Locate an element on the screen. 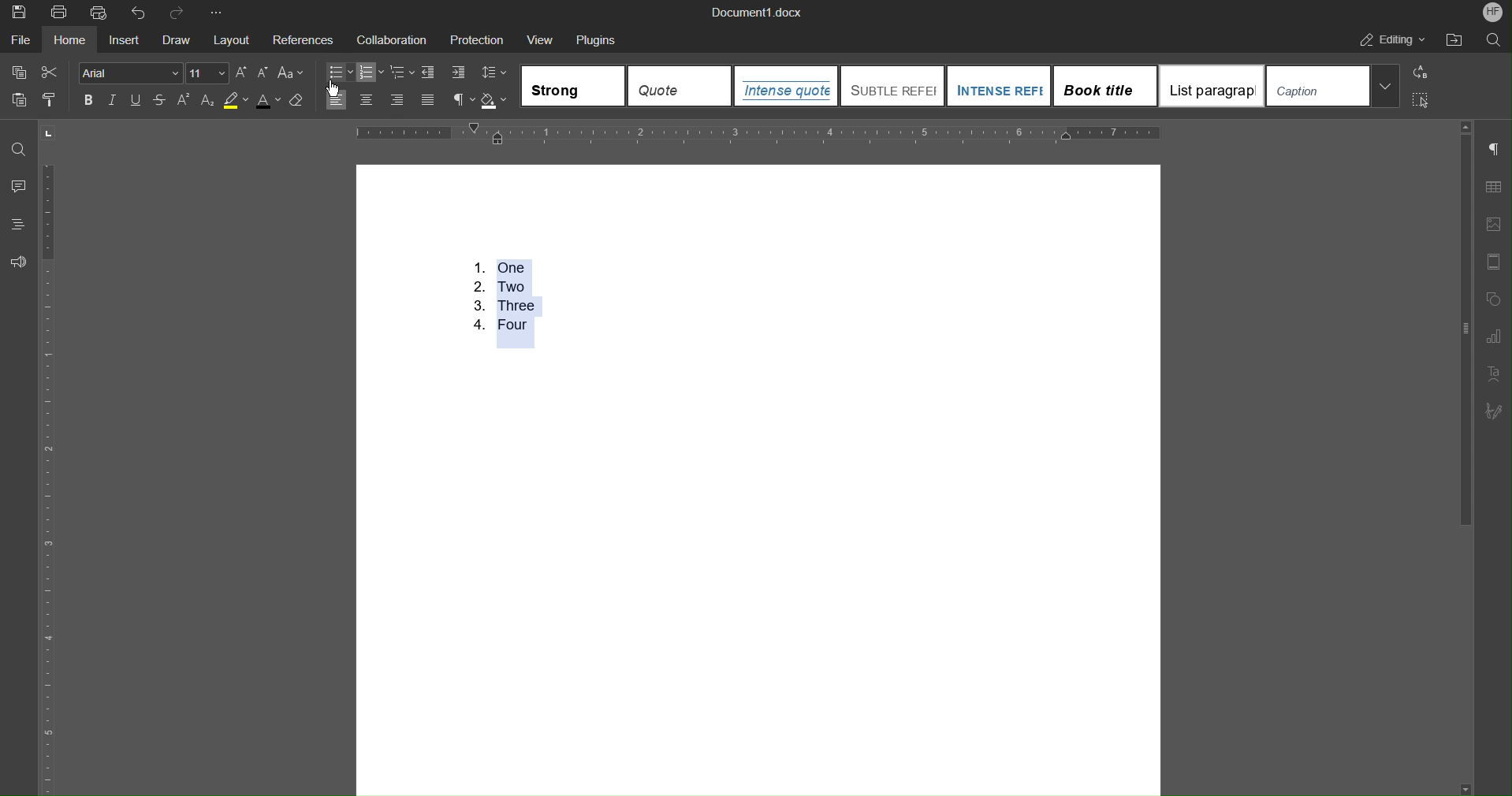 This screenshot has height=796, width=1512. Numbered List is located at coordinates (501, 298).